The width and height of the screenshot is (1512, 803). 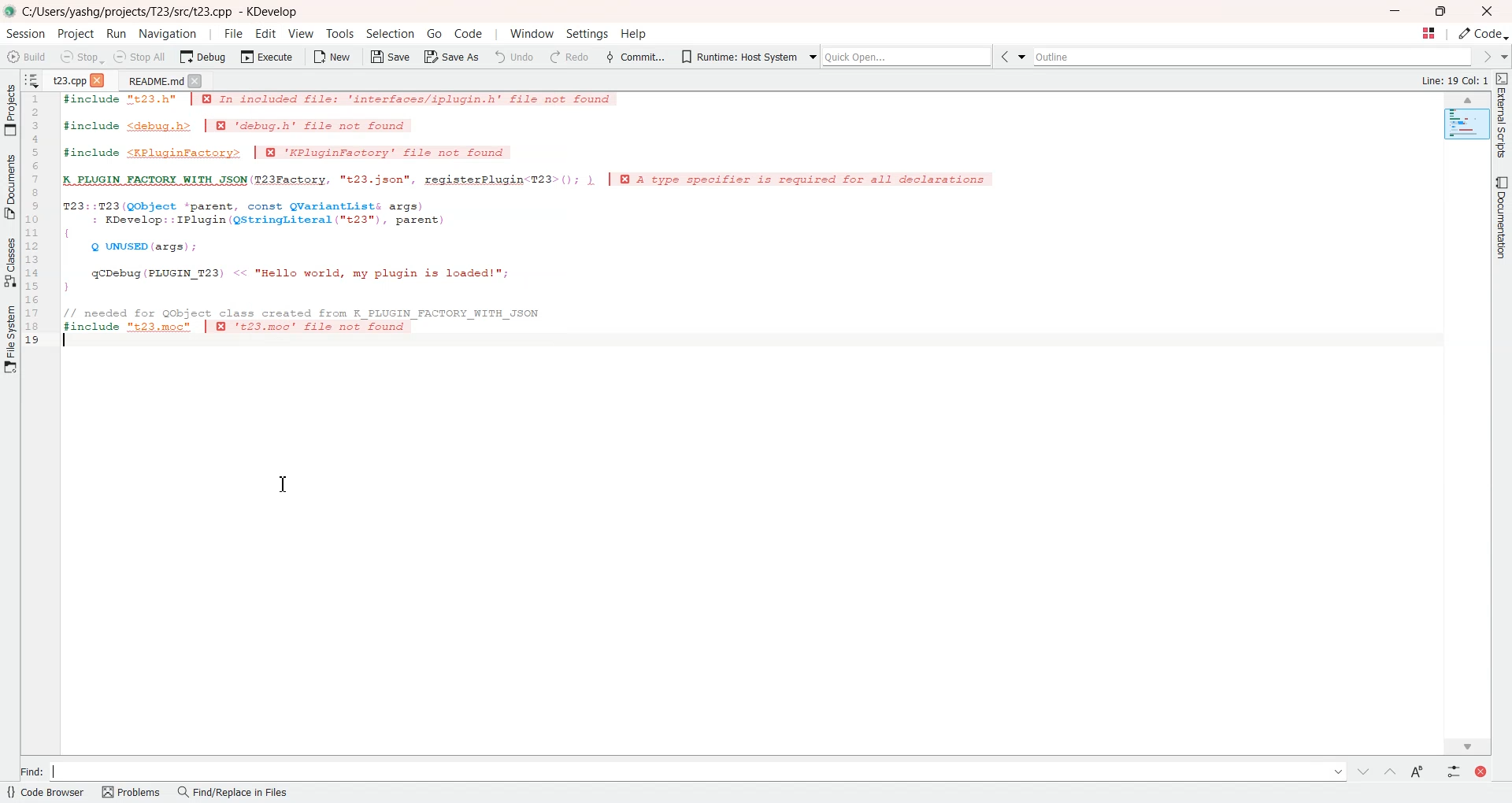 What do you see at coordinates (585, 35) in the screenshot?
I see `Settings` at bounding box center [585, 35].